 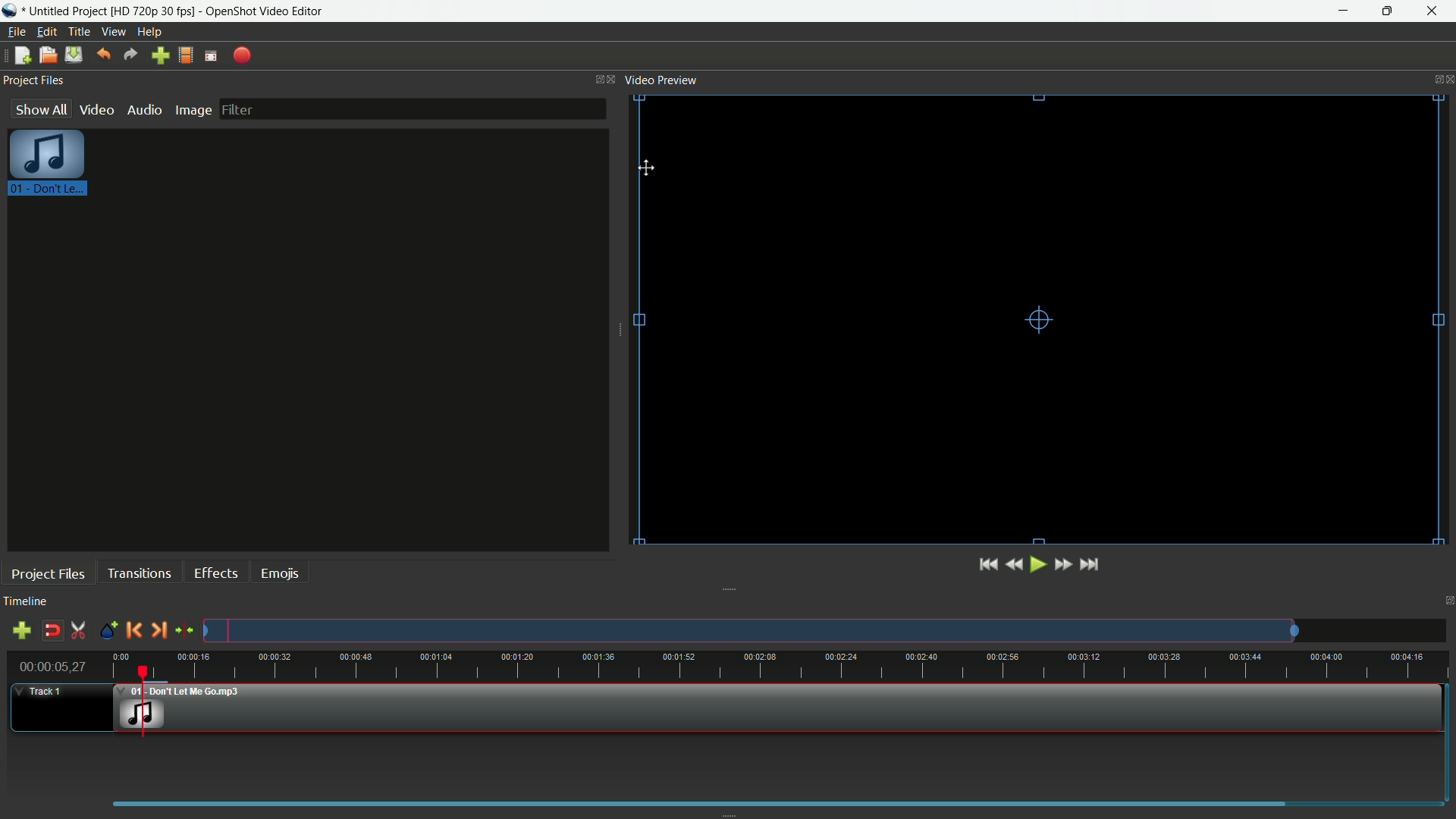 I want to click on timeline, so click(x=28, y=602).